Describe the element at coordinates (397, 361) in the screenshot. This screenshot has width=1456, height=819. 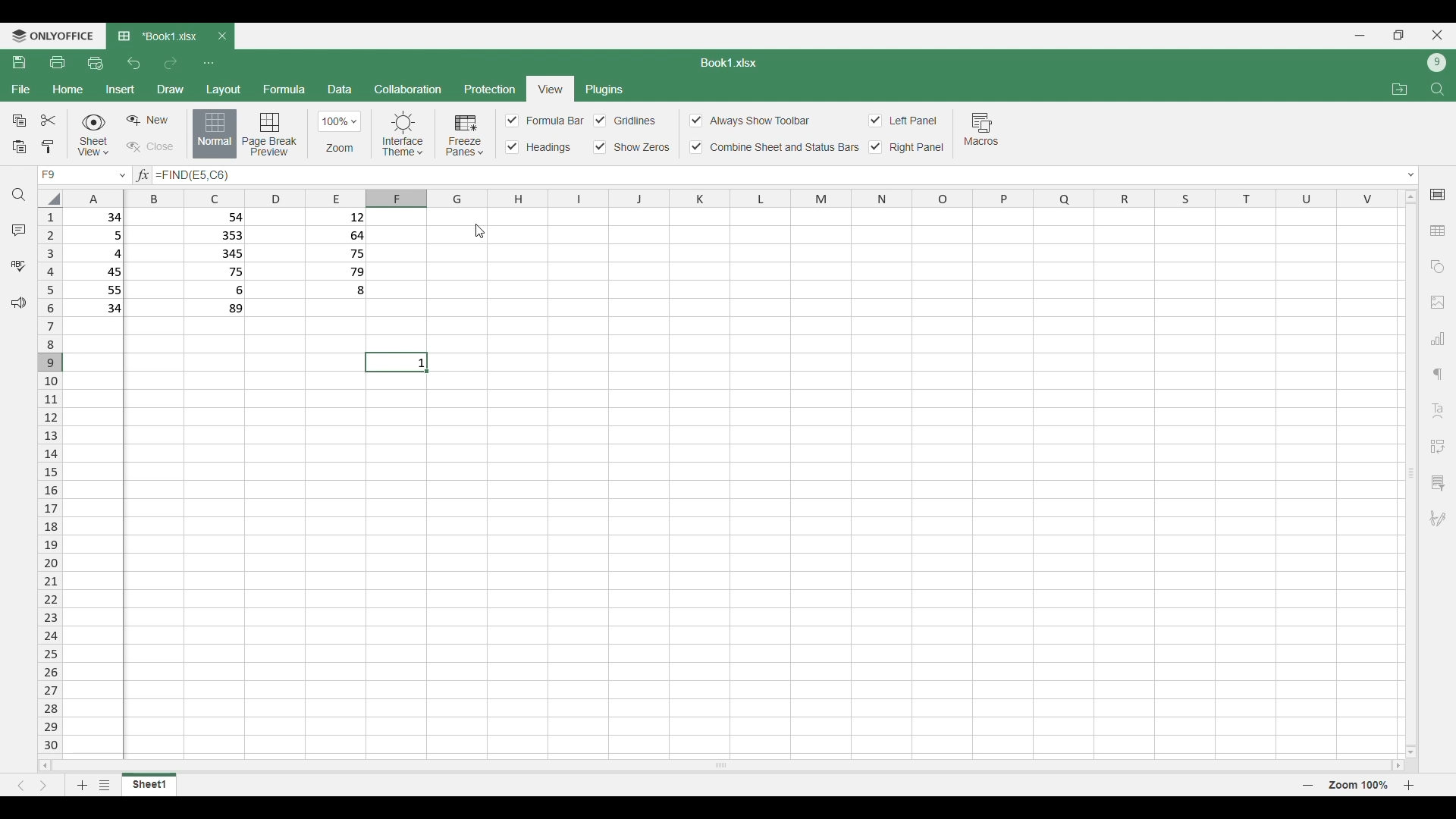
I see `current cell : 1` at that location.